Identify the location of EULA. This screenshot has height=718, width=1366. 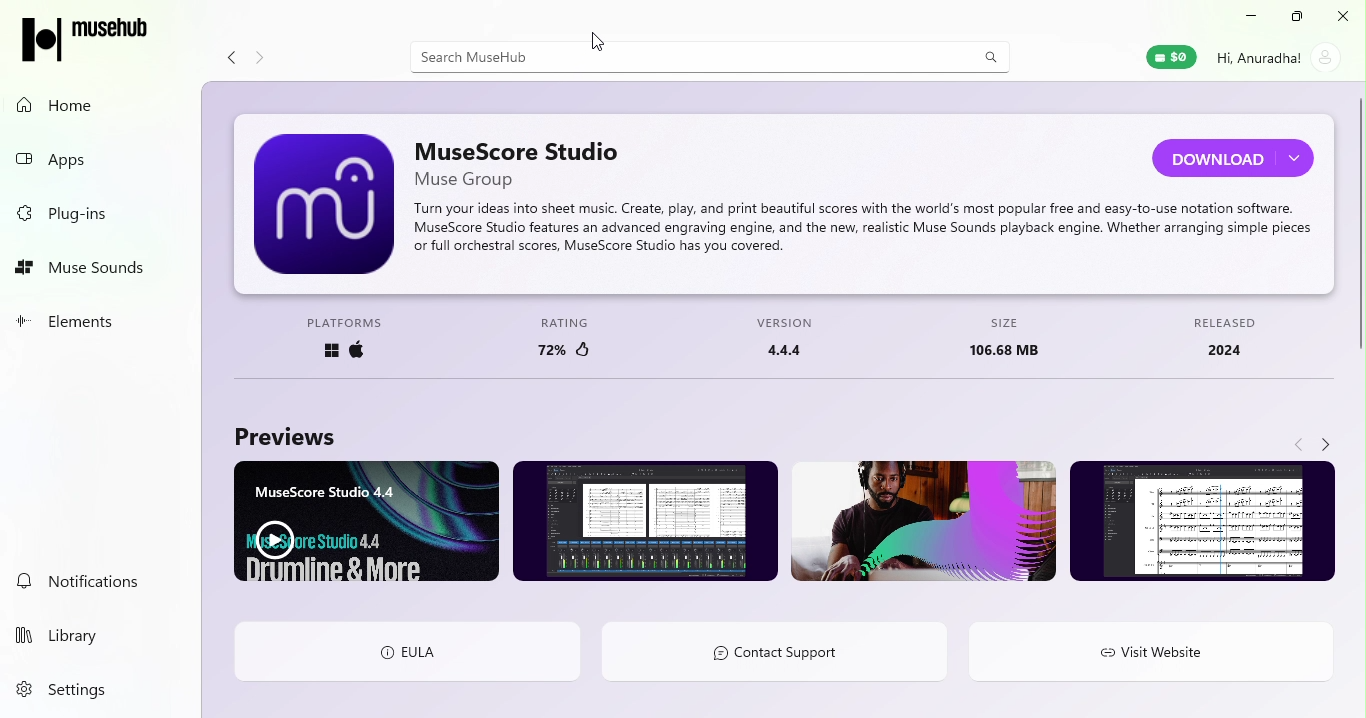
(404, 649).